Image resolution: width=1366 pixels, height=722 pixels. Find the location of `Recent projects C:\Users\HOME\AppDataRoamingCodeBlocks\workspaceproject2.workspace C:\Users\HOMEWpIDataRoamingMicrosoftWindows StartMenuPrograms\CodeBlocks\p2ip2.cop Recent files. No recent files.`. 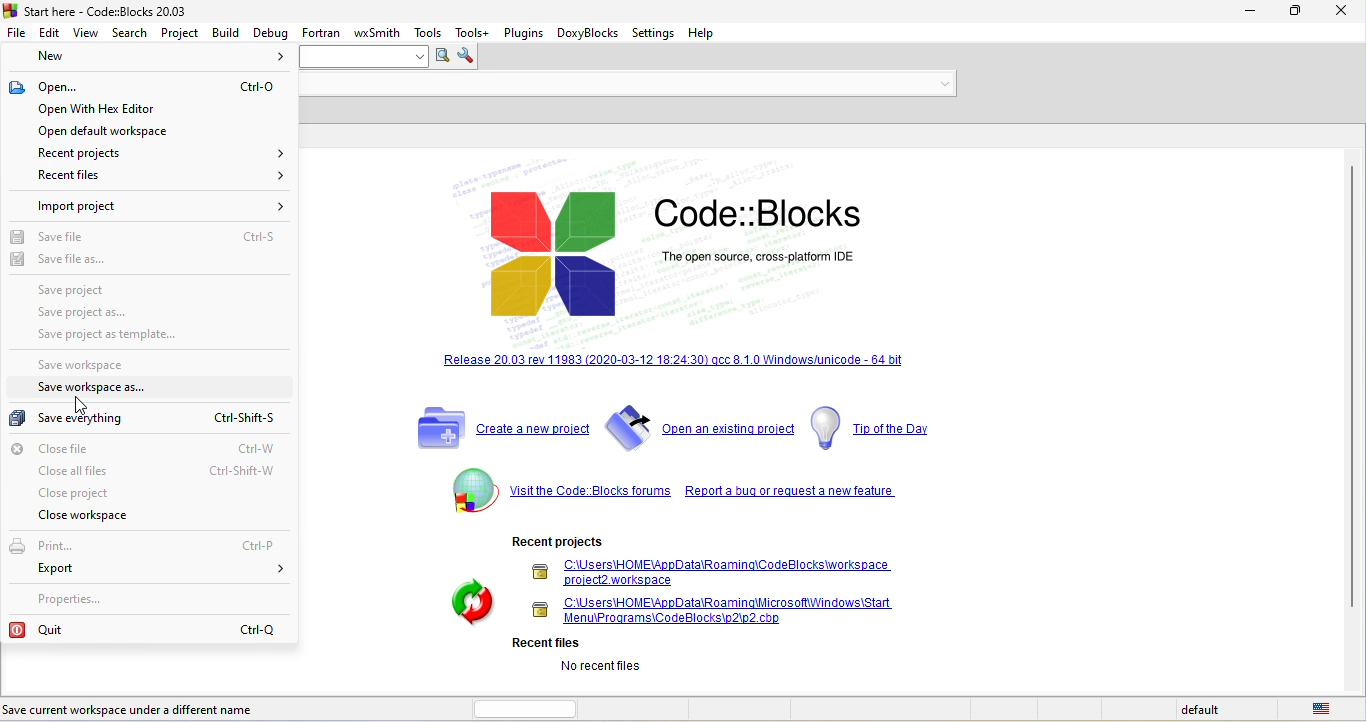

Recent projects C:\Users\HOME\AppDataRoamingCodeBlocks\workspaceproject2.workspace C:\Users\HOMEWpIDataRoamingMicrosoftWindows StartMenuPrograms\CodeBlocks\p2ip2.cop Recent files. No recent files. is located at coordinates (675, 607).